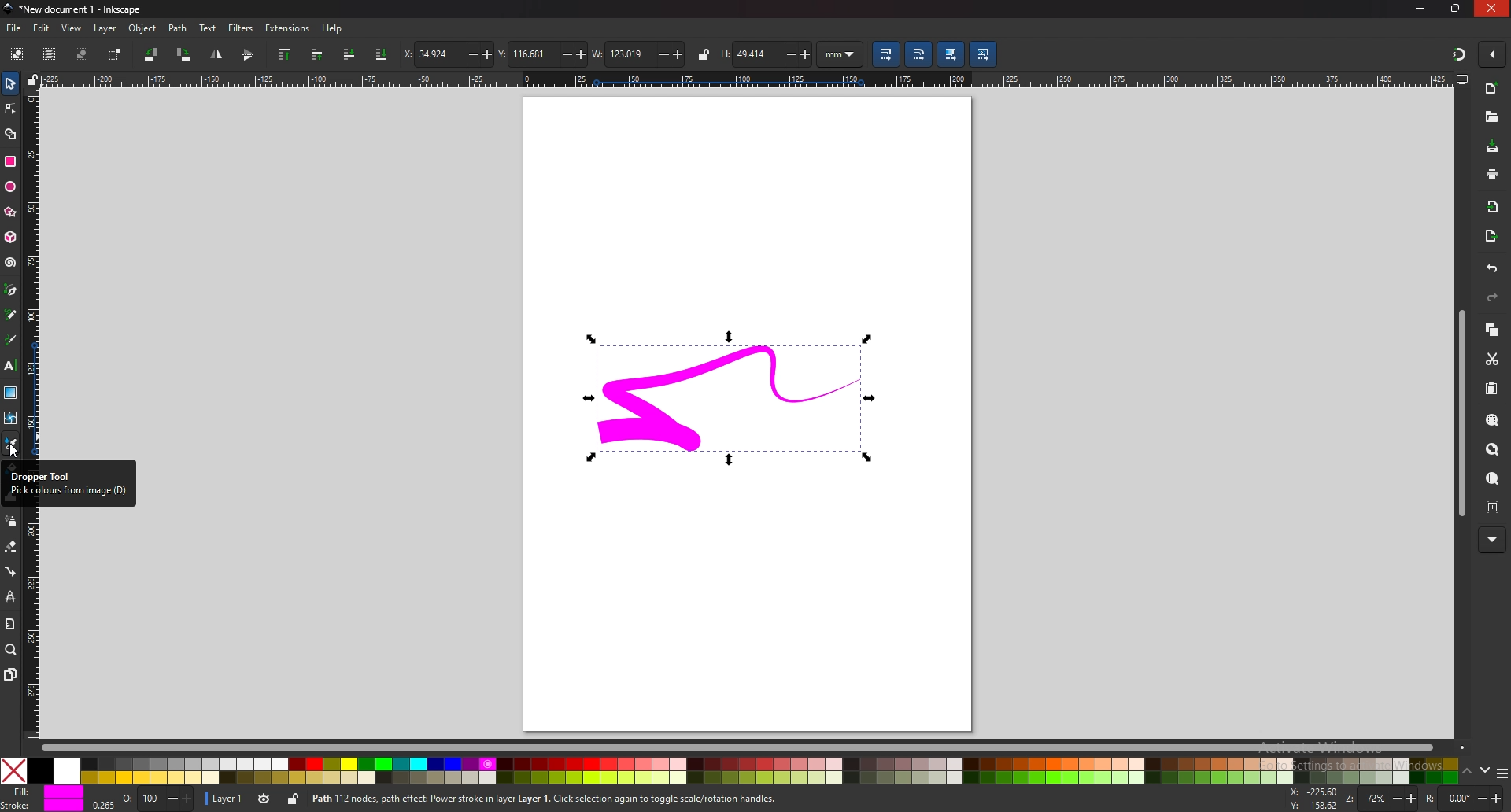 The width and height of the screenshot is (1511, 812). Describe the element at coordinates (102, 803) in the screenshot. I see `0.265` at that location.